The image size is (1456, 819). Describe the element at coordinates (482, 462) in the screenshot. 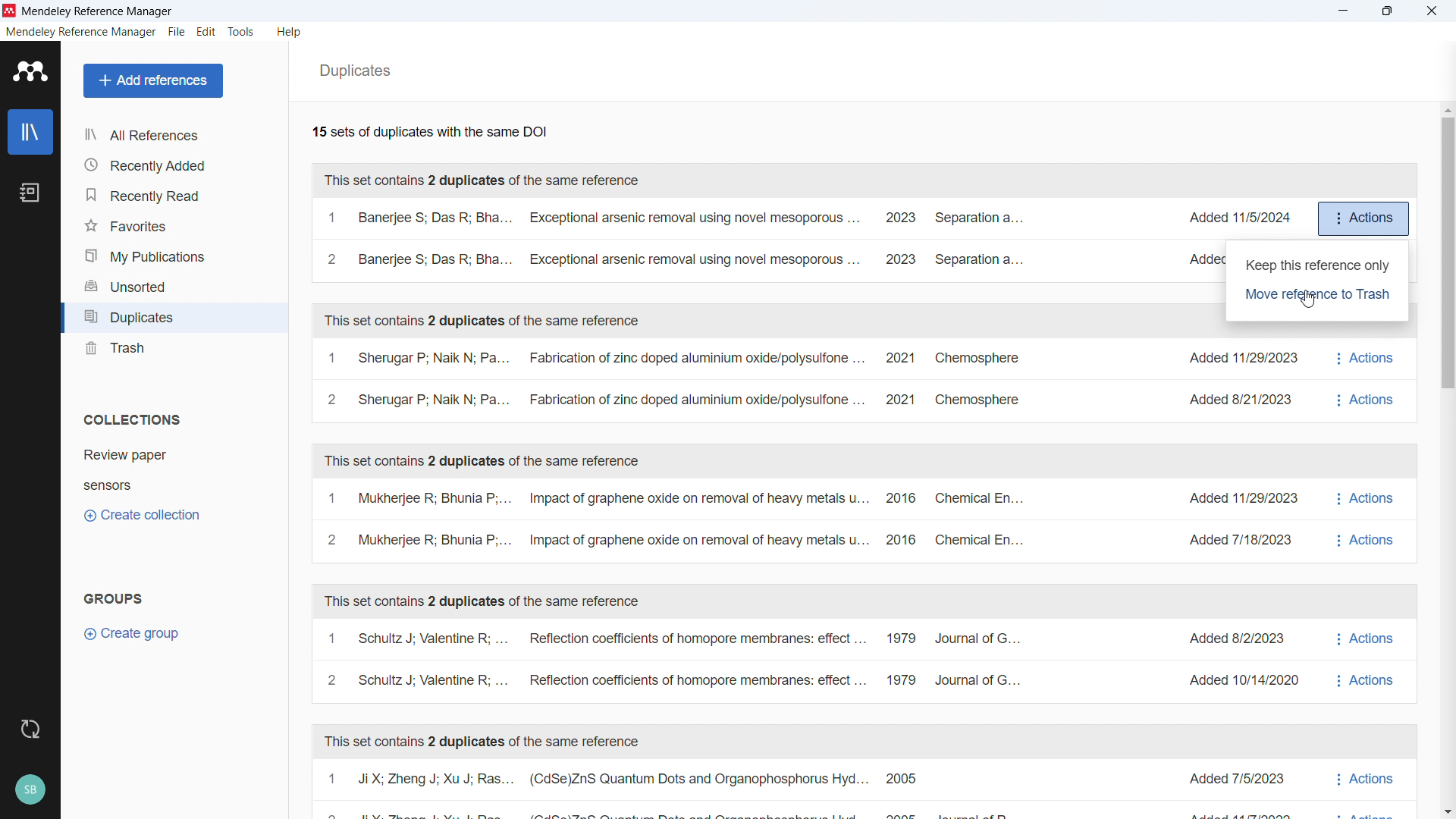

I see `This set contains two duplicates of the same reference` at that location.